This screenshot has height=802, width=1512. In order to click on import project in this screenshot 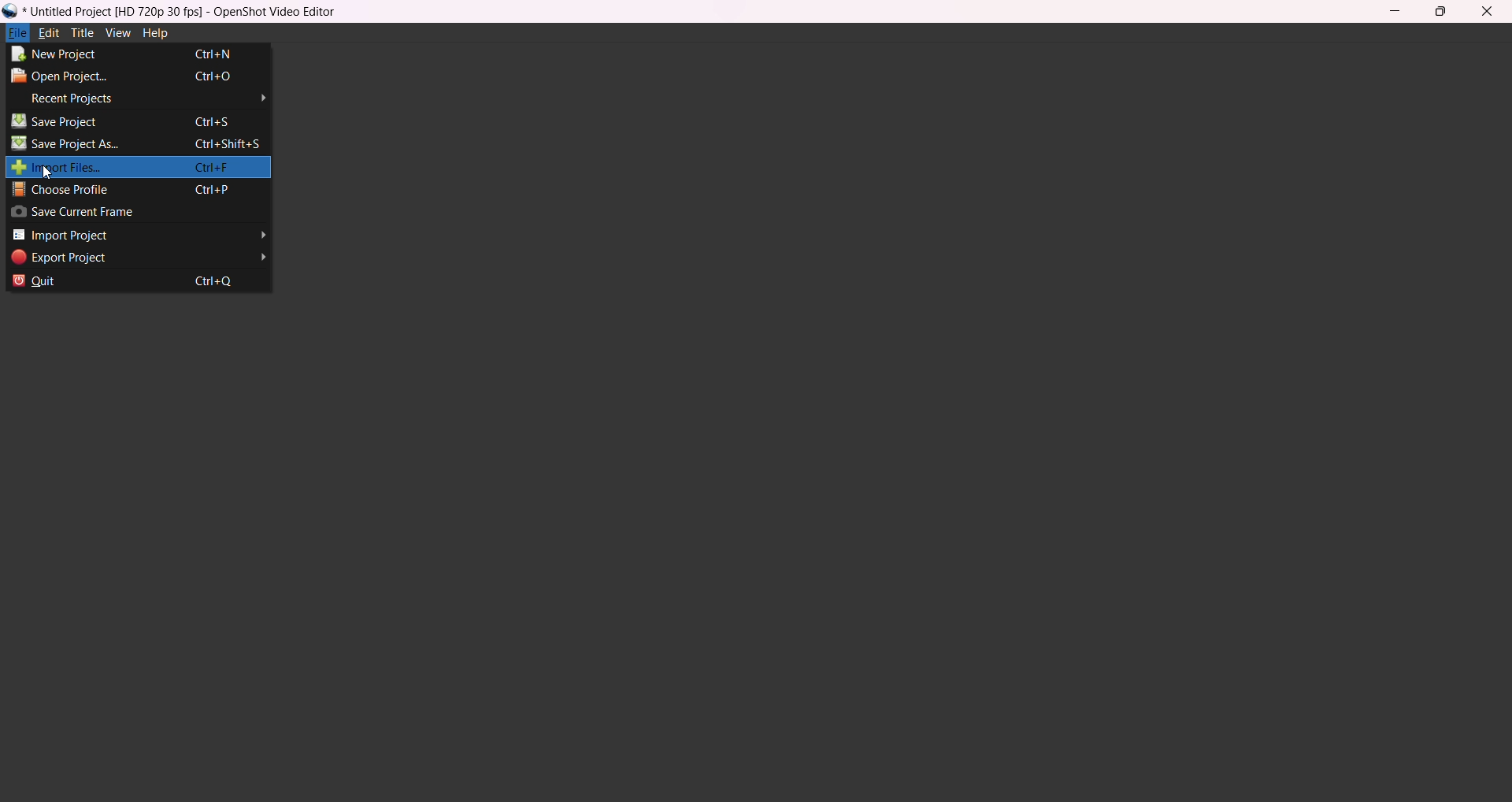, I will do `click(136, 234)`.